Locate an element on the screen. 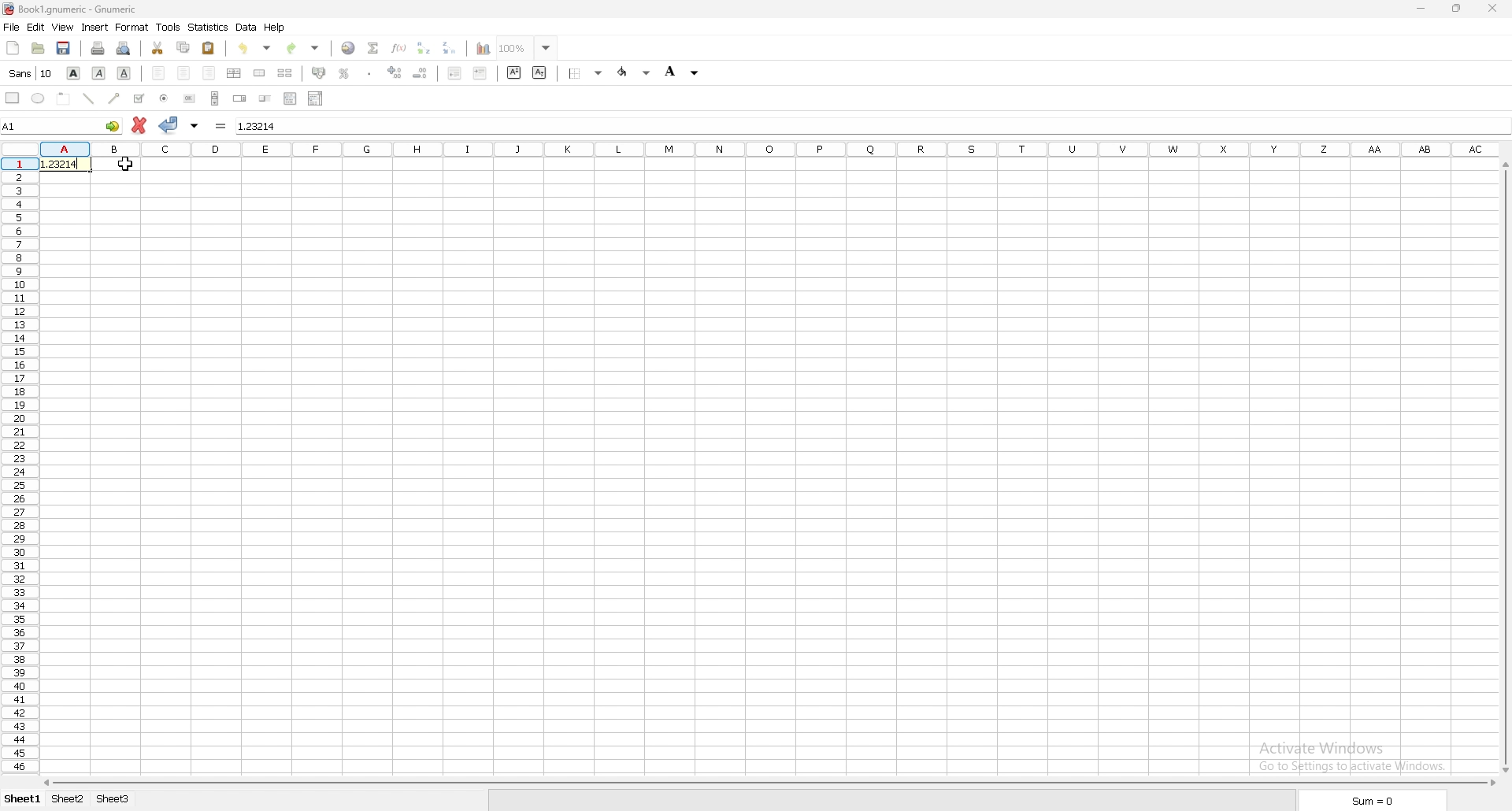 Image resolution: width=1512 pixels, height=811 pixels. accounting is located at coordinates (319, 72).